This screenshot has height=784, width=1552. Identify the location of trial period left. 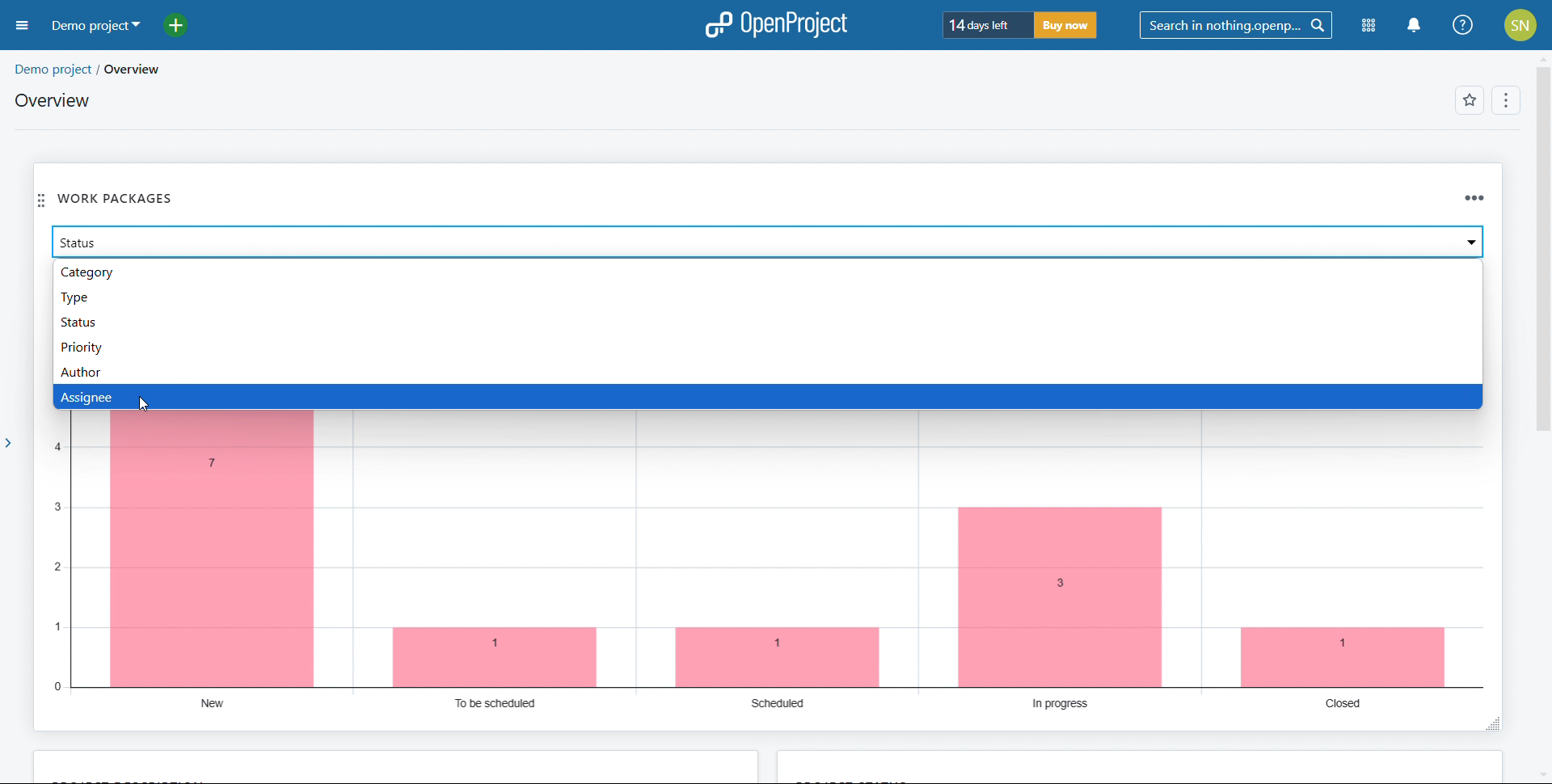
(986, 24).